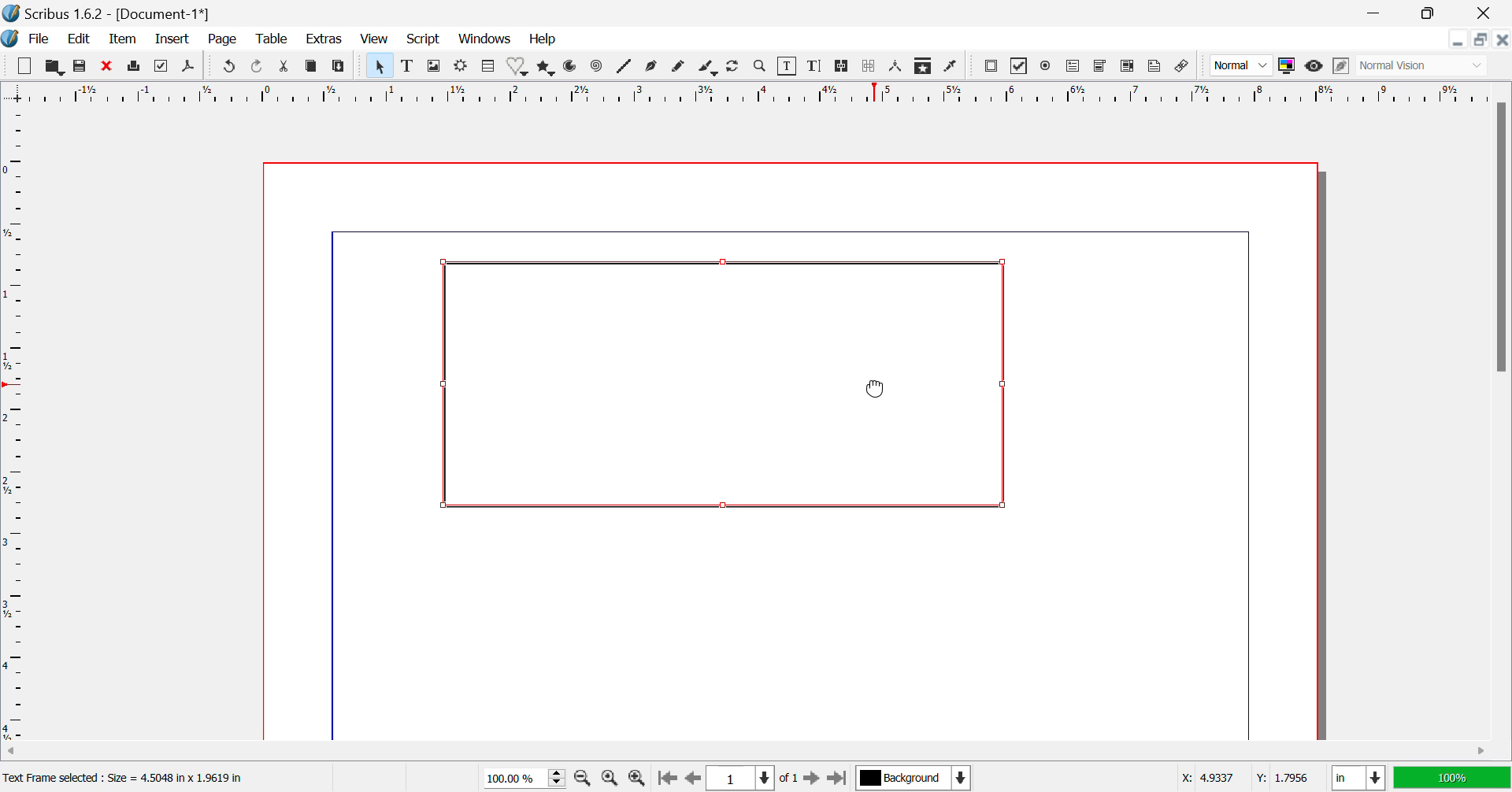 Image resolution: width=1512 pixels, height=792 pixels. What do you see at coordinates (869, 68) in the screenshot?
I see `Delink Text Frame` at bounding box center [869, 68].